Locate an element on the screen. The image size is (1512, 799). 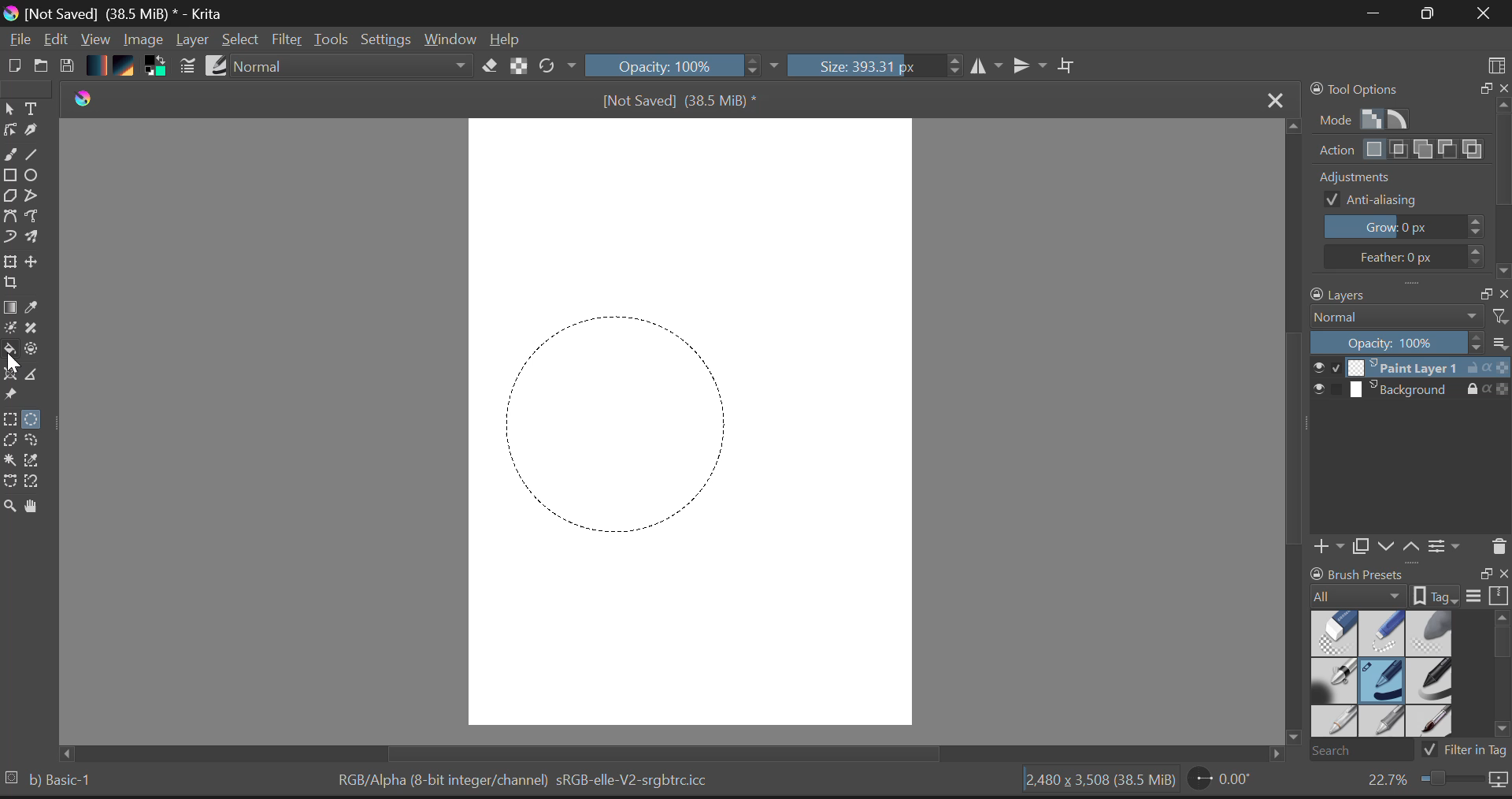
File Name & size is located at coordinates (679, 100).